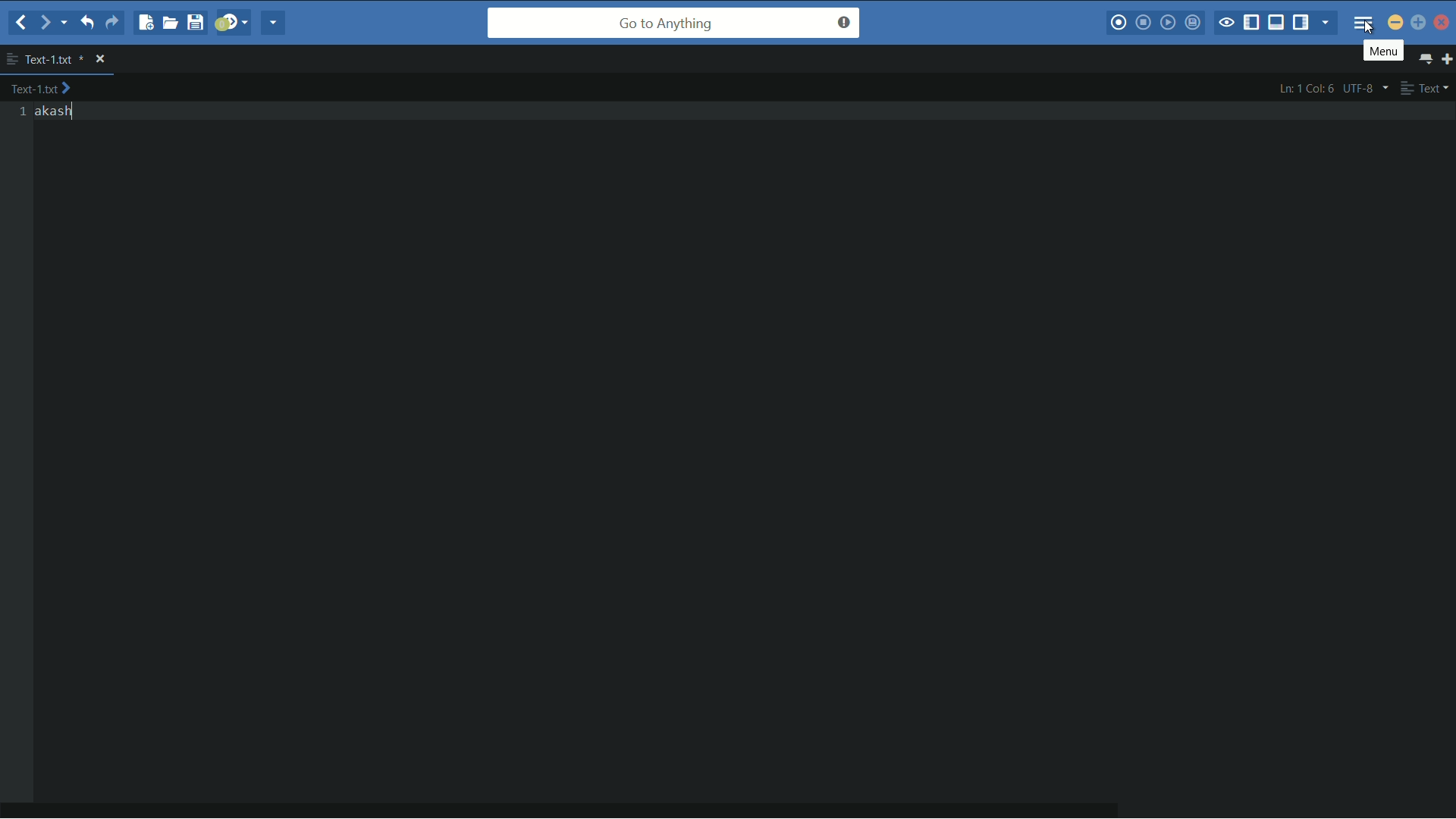 This screenshot has width=1456, height=819. What do you see at coordinates (272, 23) in the screenshot?
I see `share current file` at bounding box center [272, 23].